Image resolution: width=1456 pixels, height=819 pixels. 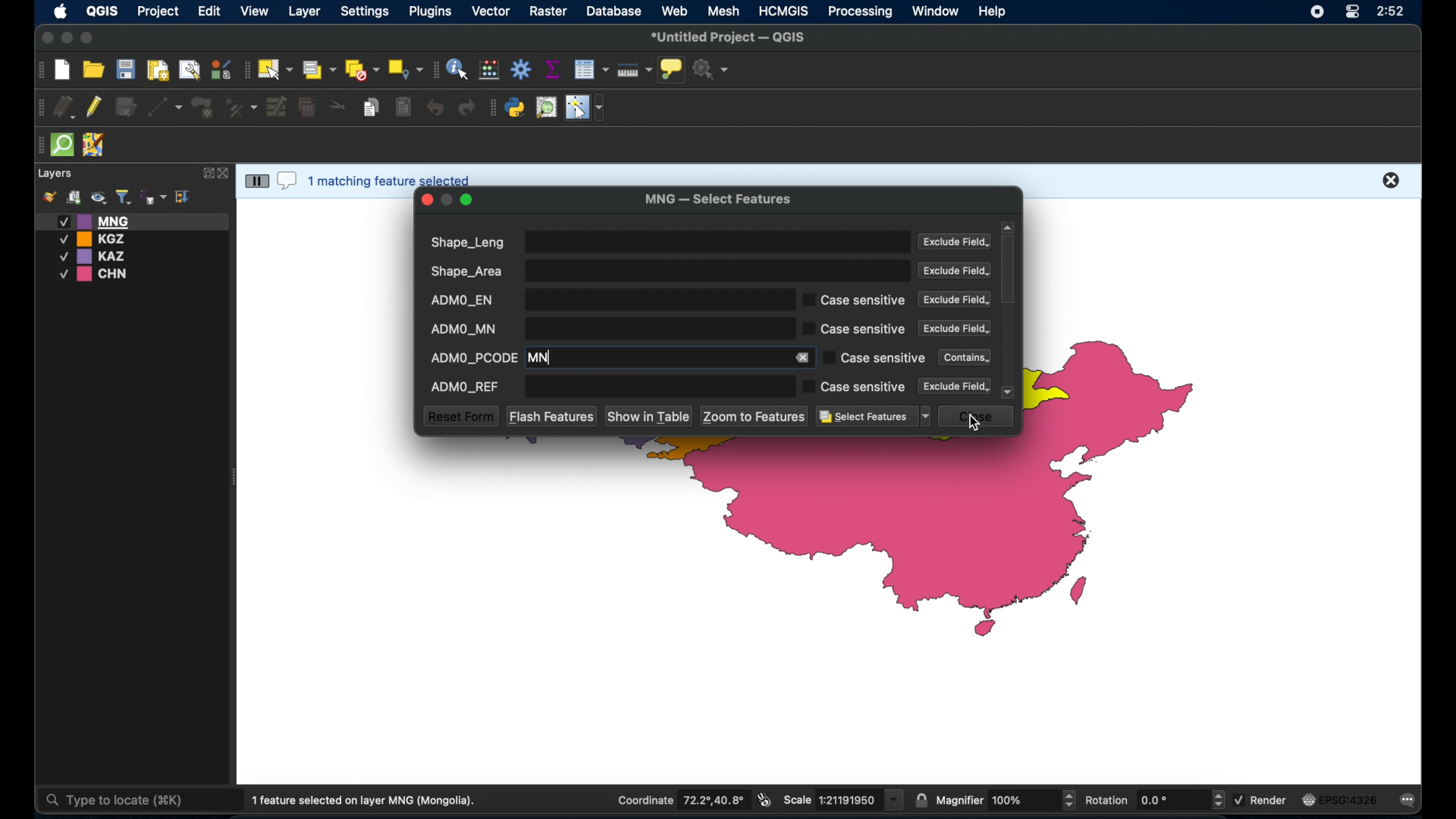 I want to click on layers, so click(x=56, y=174).